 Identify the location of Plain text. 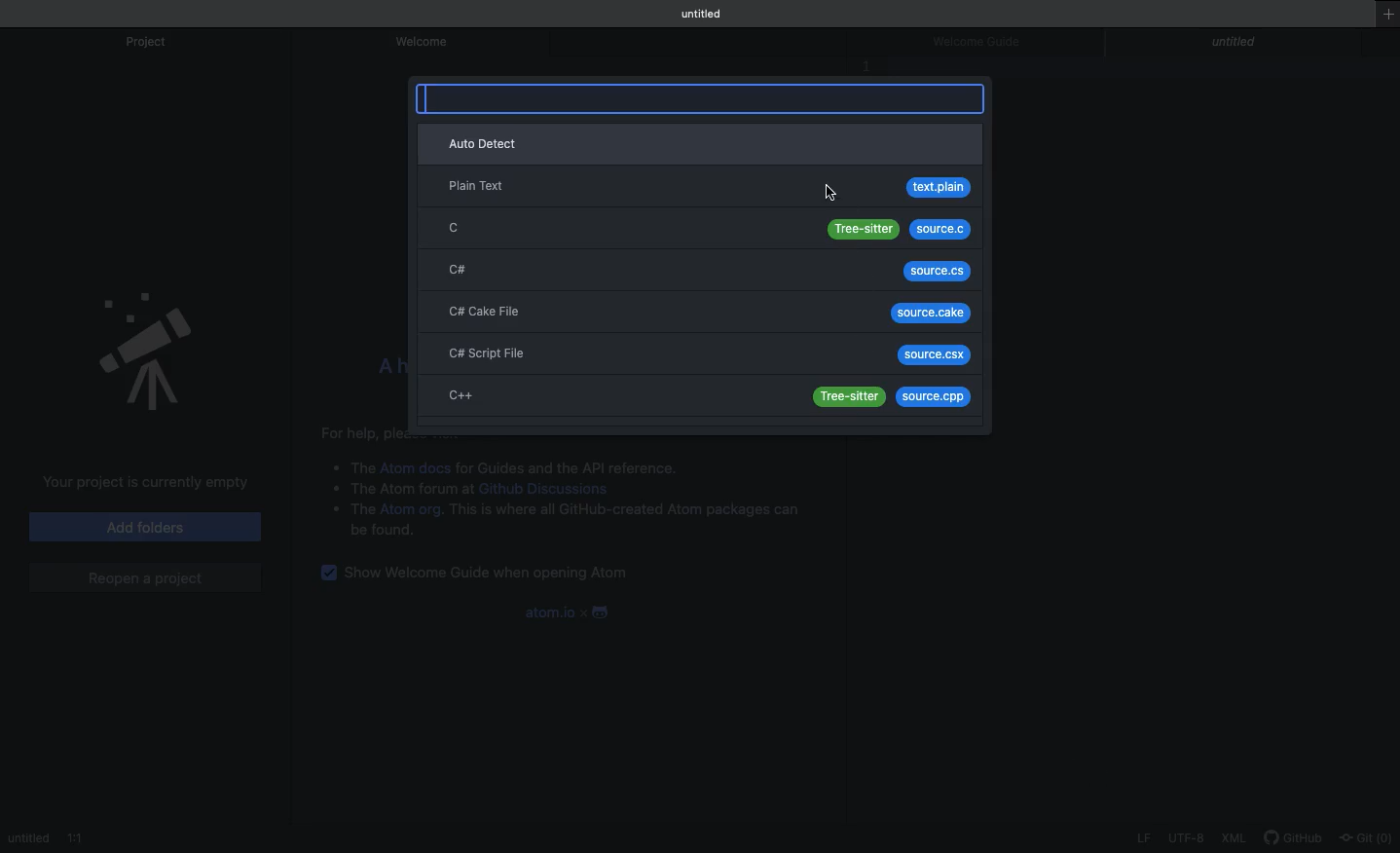
(701, 188).